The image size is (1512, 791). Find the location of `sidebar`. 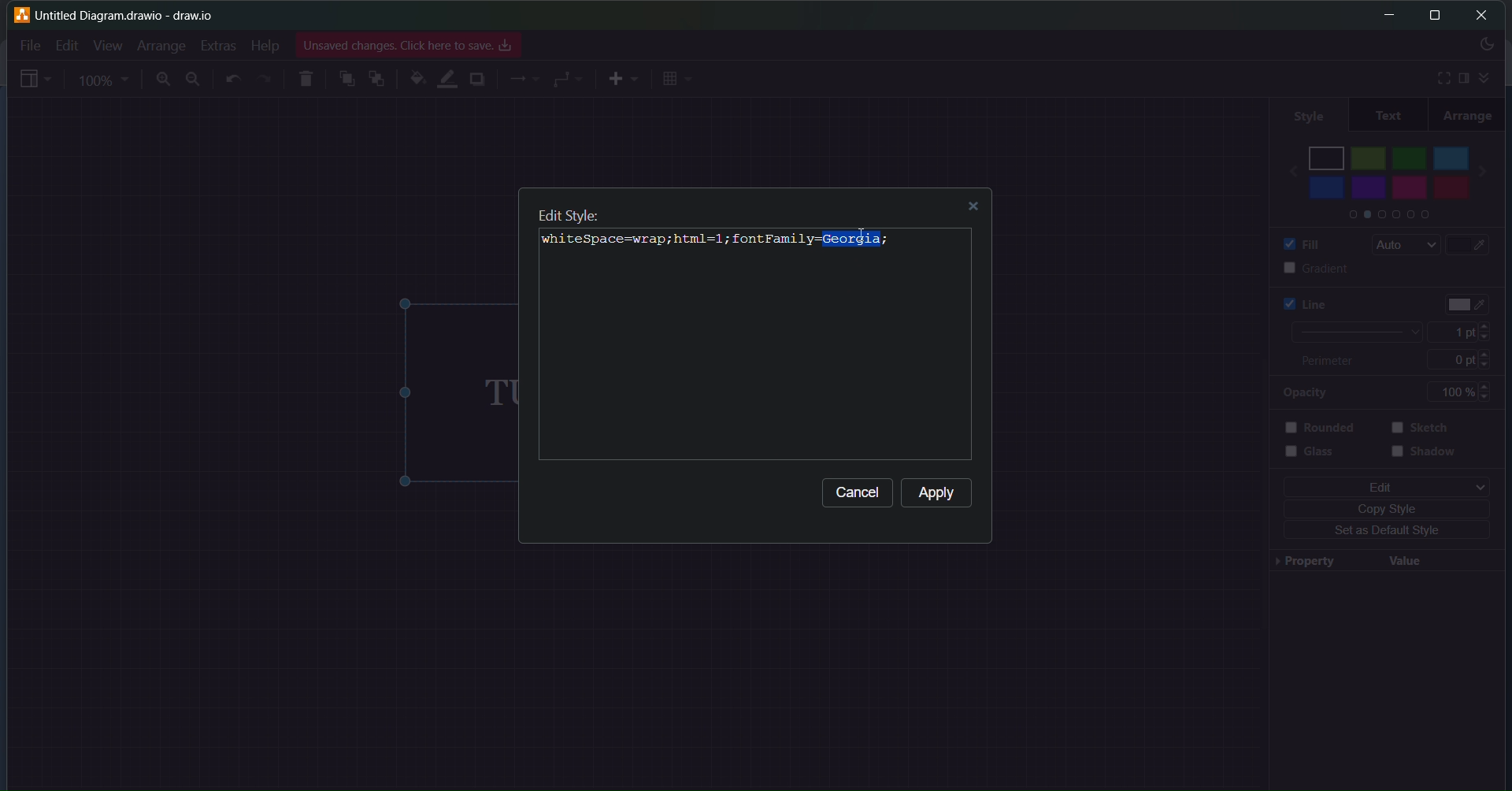

sidebar is located at coordinates (1463, 78).